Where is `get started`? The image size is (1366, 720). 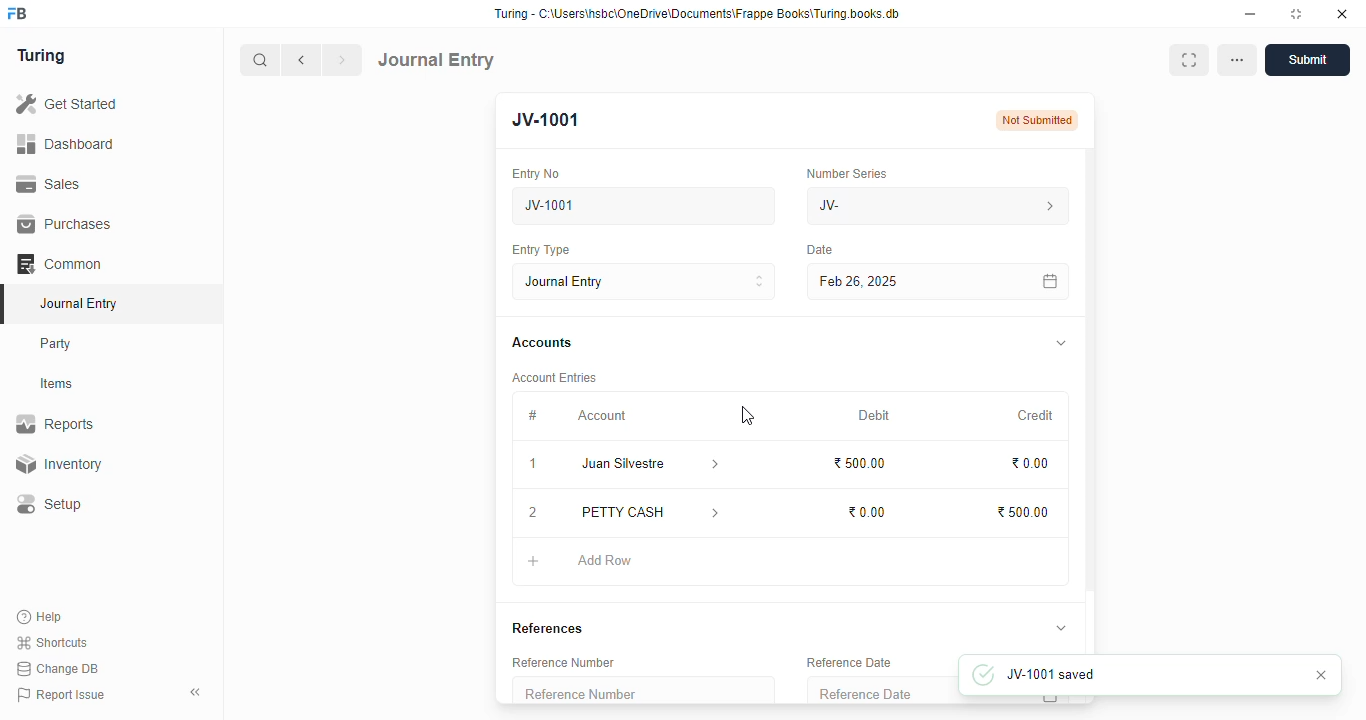 get started is located at coordinates (68, 104).